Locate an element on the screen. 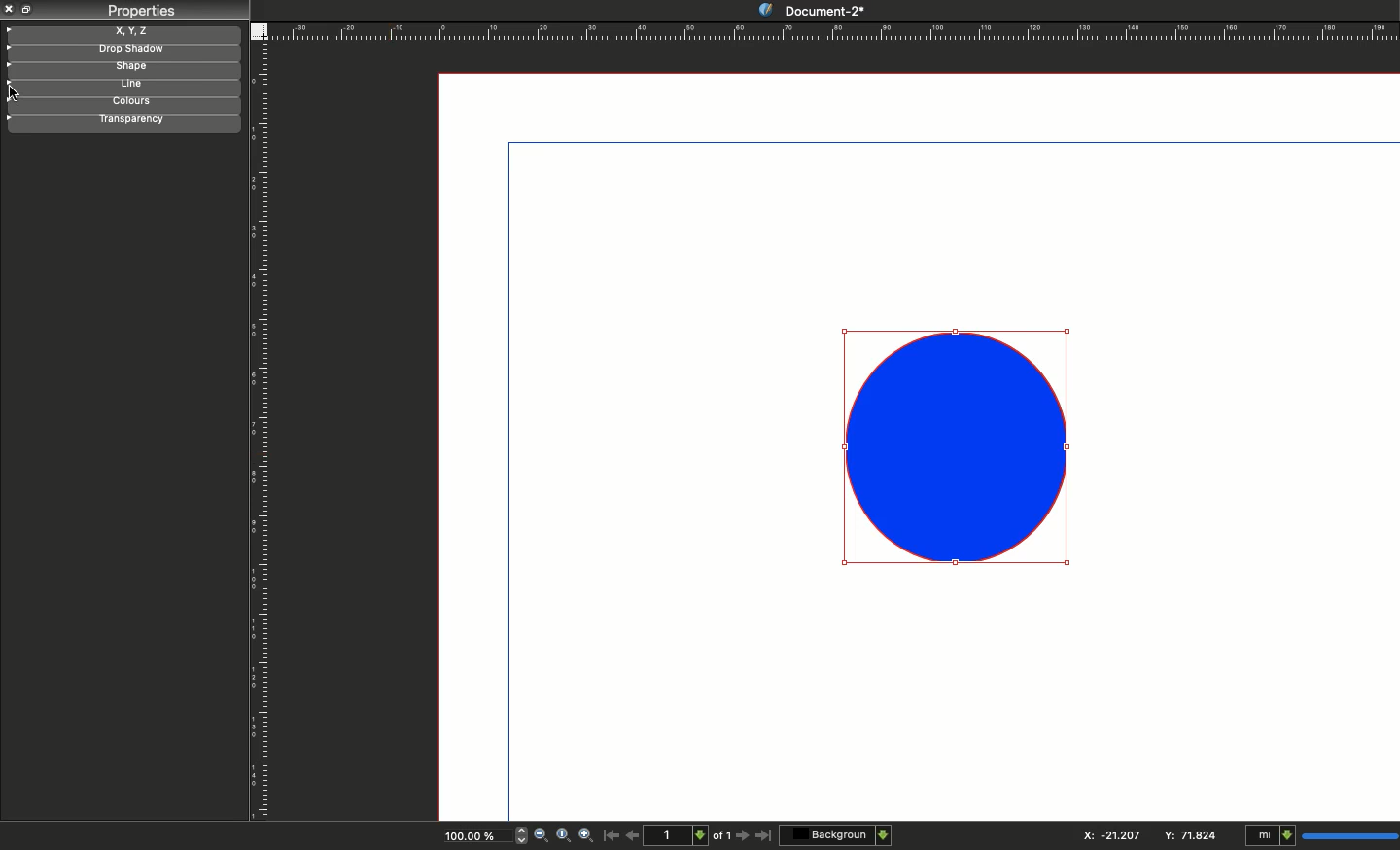 The width and height of the screenshot is (1400, 850). Background is located at coordinates (837, 834).